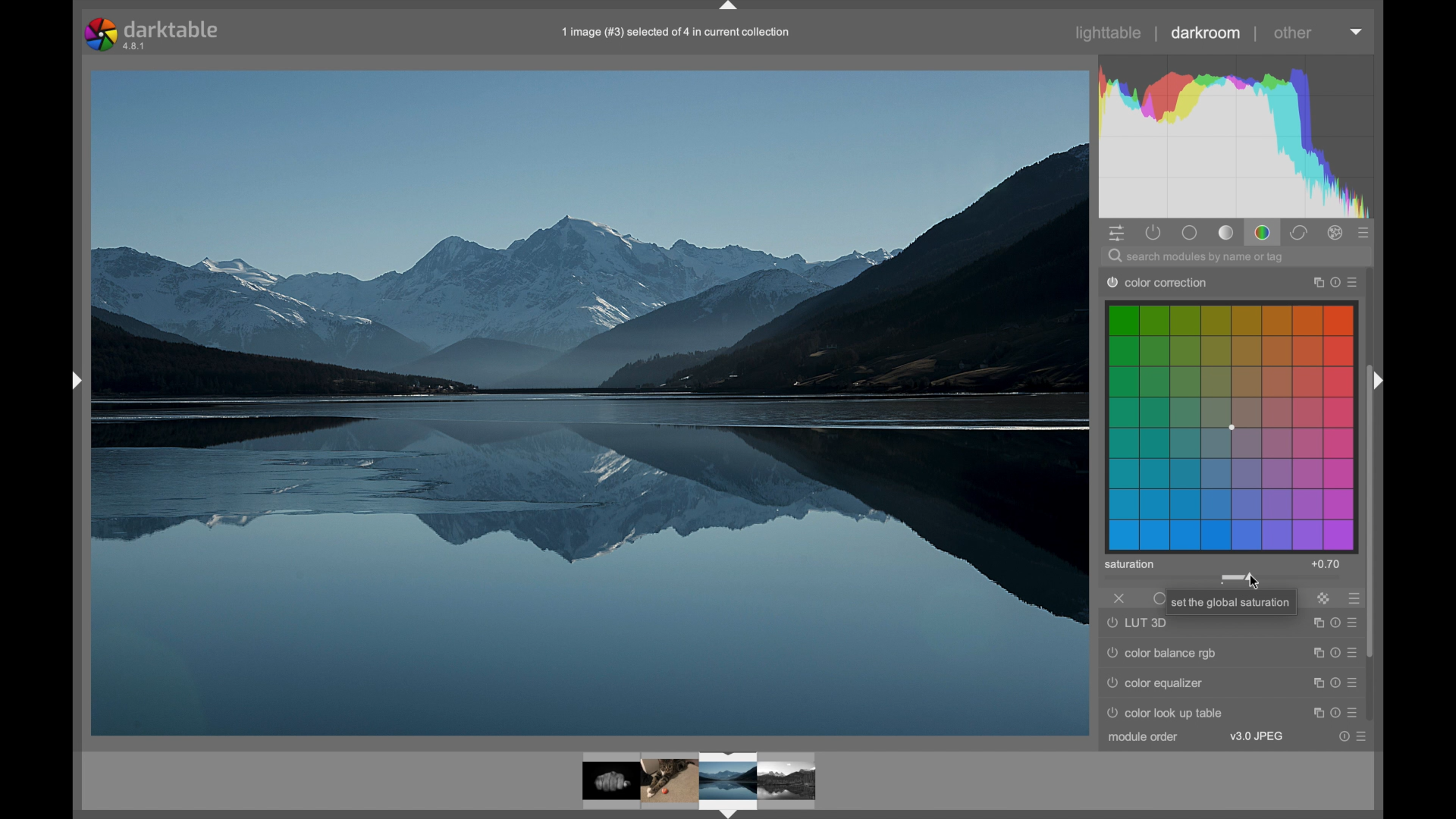 The width and height of the screenshot is (1456, 819). What do you see at coordinates (1301, 234) in the screenshot?
I see `correct` at bounding box center [1301, 234].